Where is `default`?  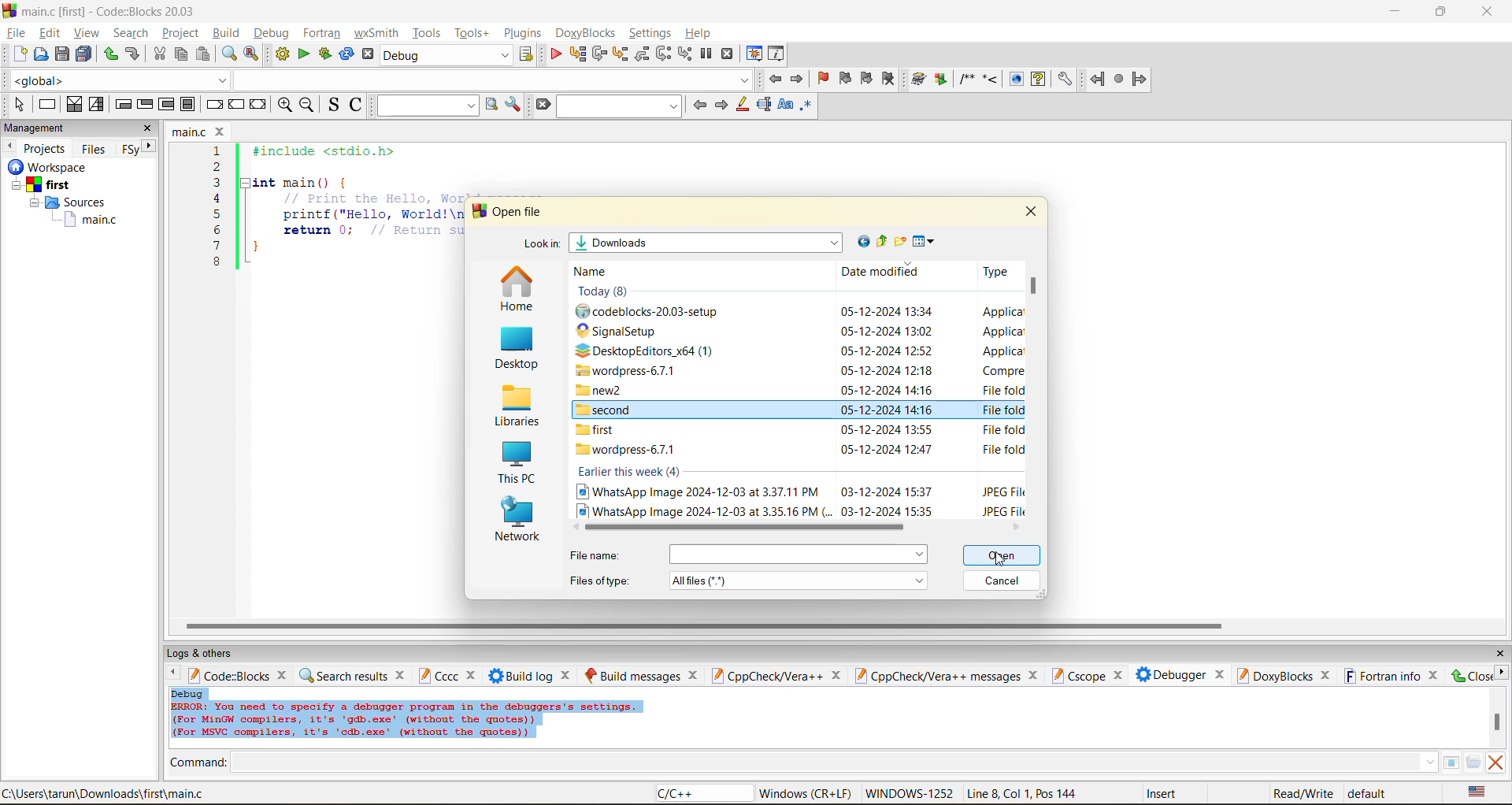
default is located at coordinates (1369, 792).